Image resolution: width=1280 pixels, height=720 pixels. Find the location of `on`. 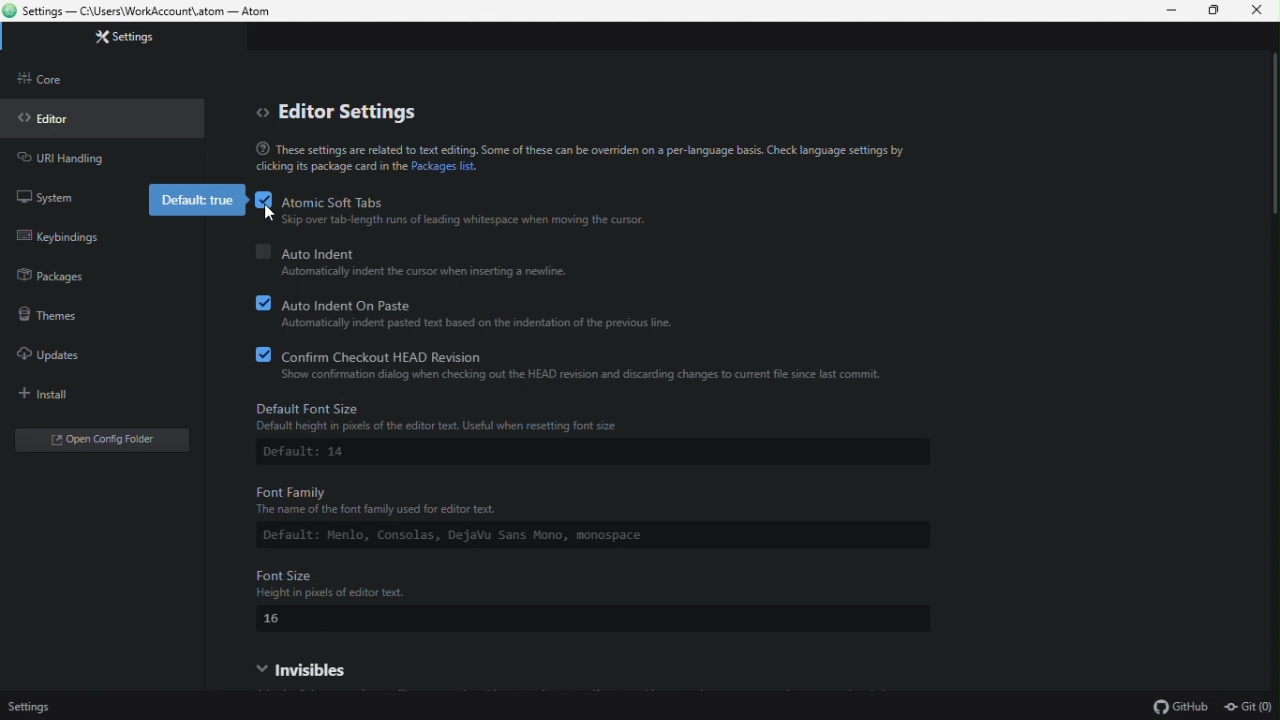

on is located at coordinates (260, 353).